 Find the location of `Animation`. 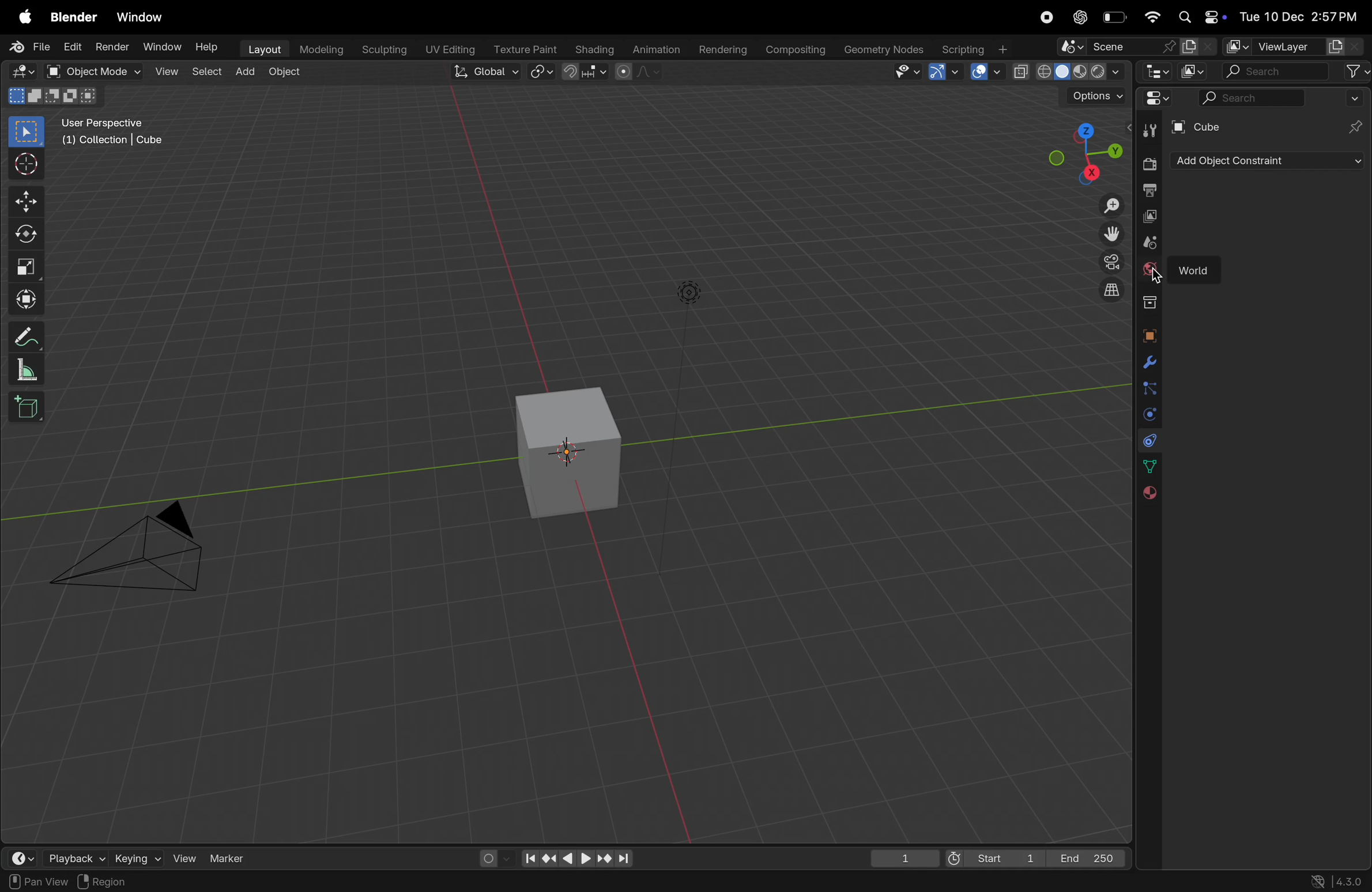

Animation is located at coordinates (654, 51).